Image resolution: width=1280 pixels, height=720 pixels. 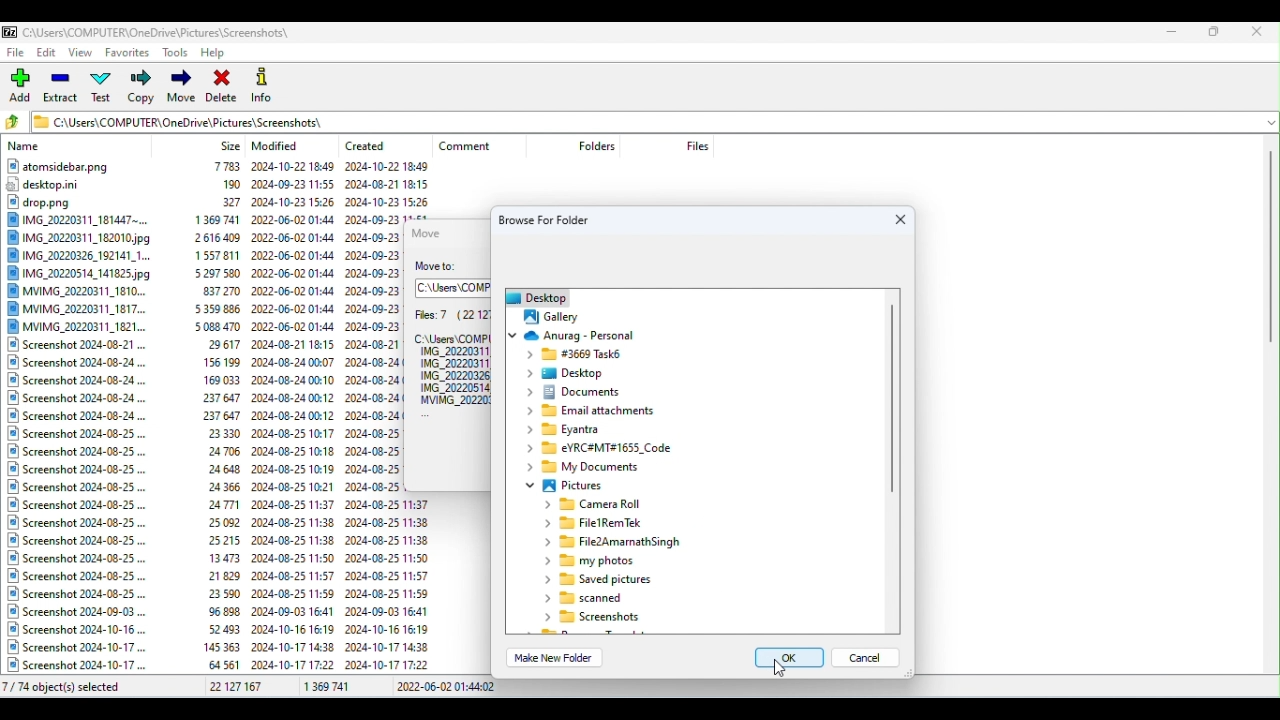 What do you see at coordinates (23, 86) in the screenshot?
I see `Add` at bounding box center [23, 86].